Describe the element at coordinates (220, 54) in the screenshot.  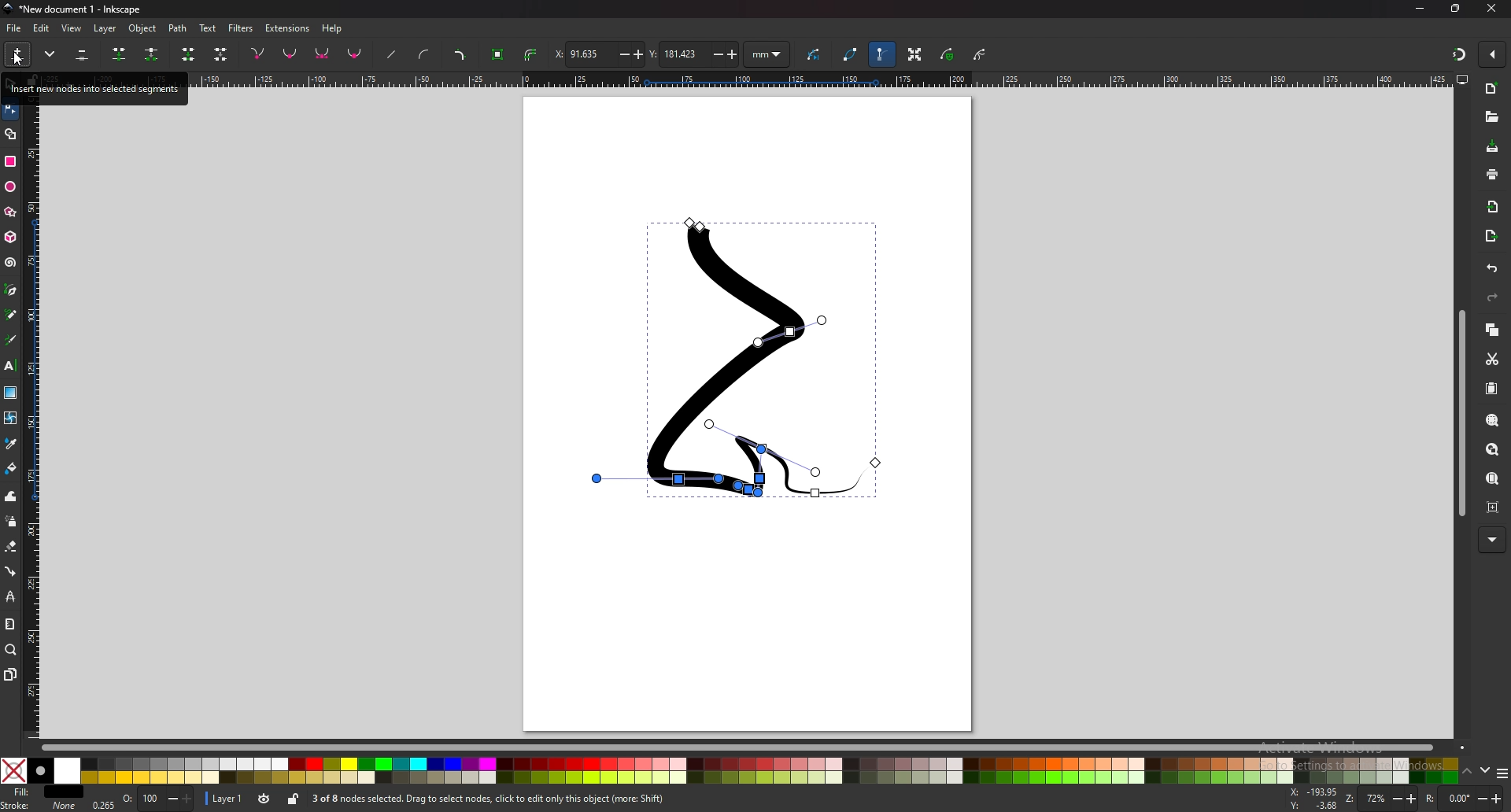
I see `delete segment between two non endpoint nodes` at that location.